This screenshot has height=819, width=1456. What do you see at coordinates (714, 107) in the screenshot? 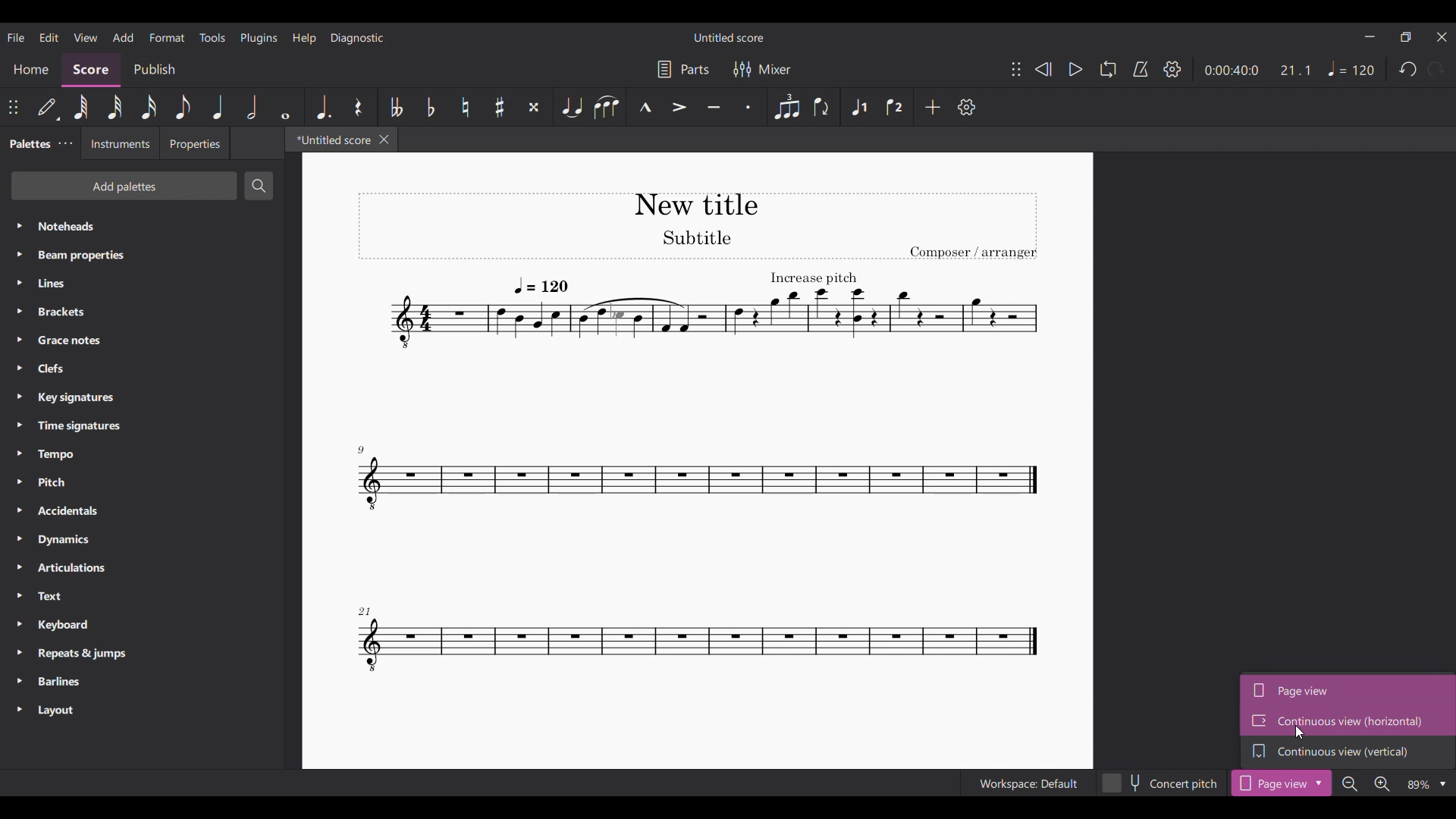
I see `Tenuto` at bounding box center [714, 107].